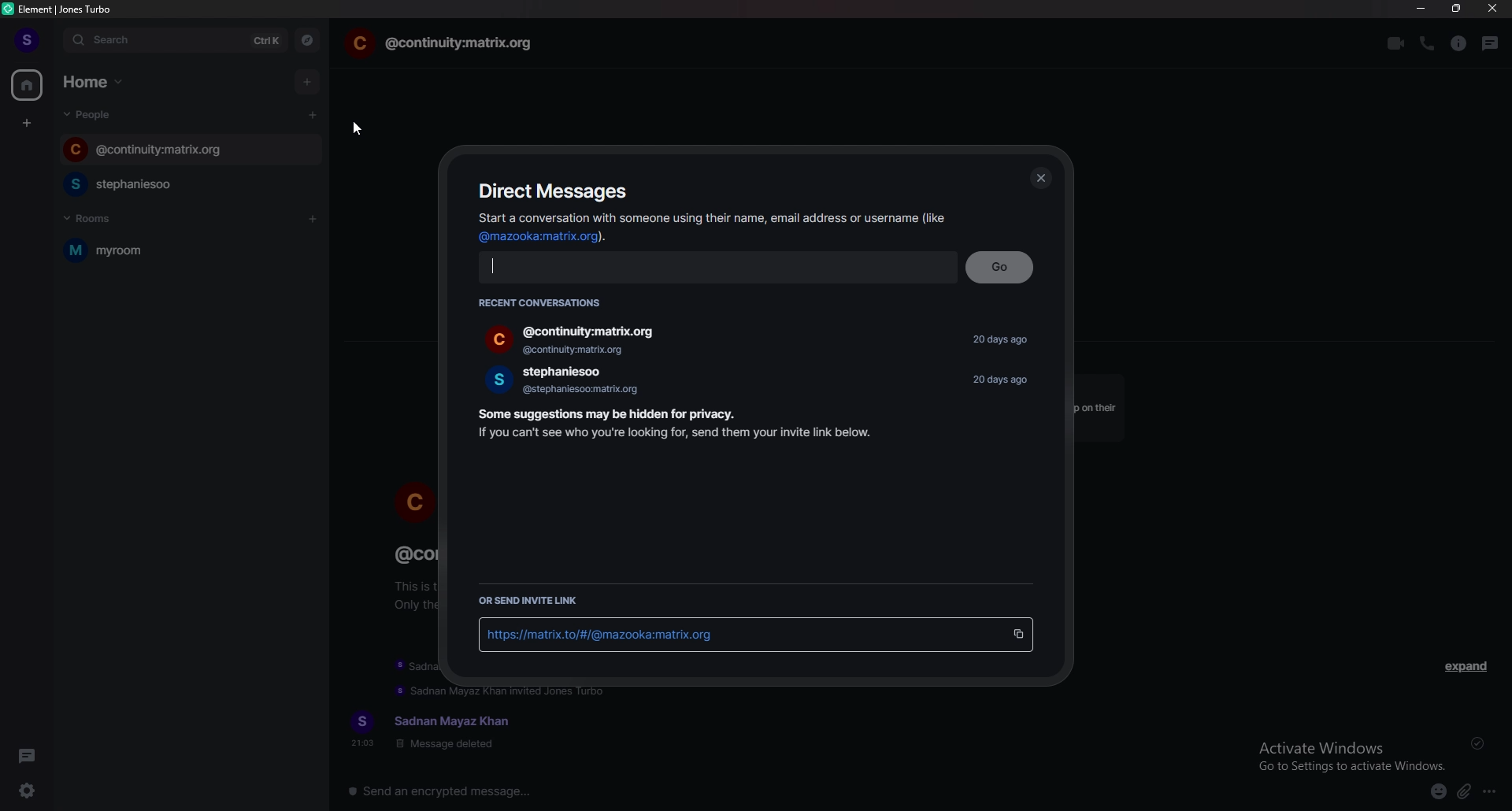 The image size is (1512, 811). I want to click on element, so click(65, 9).